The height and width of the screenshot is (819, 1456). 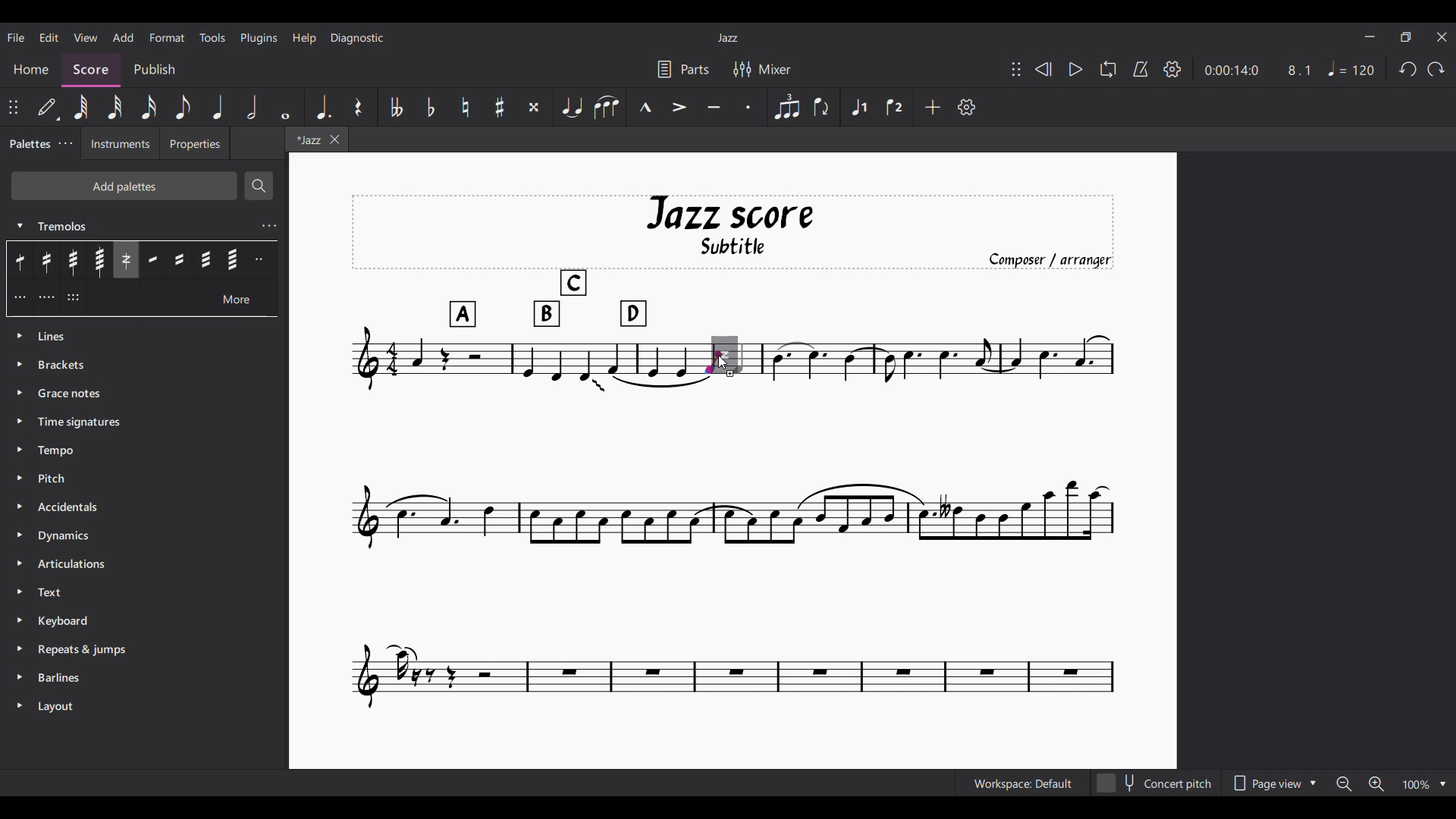 What do you see at coordinates (679, 107) in the screenshot?
I see `Accent` at bounding box center [679, 107].